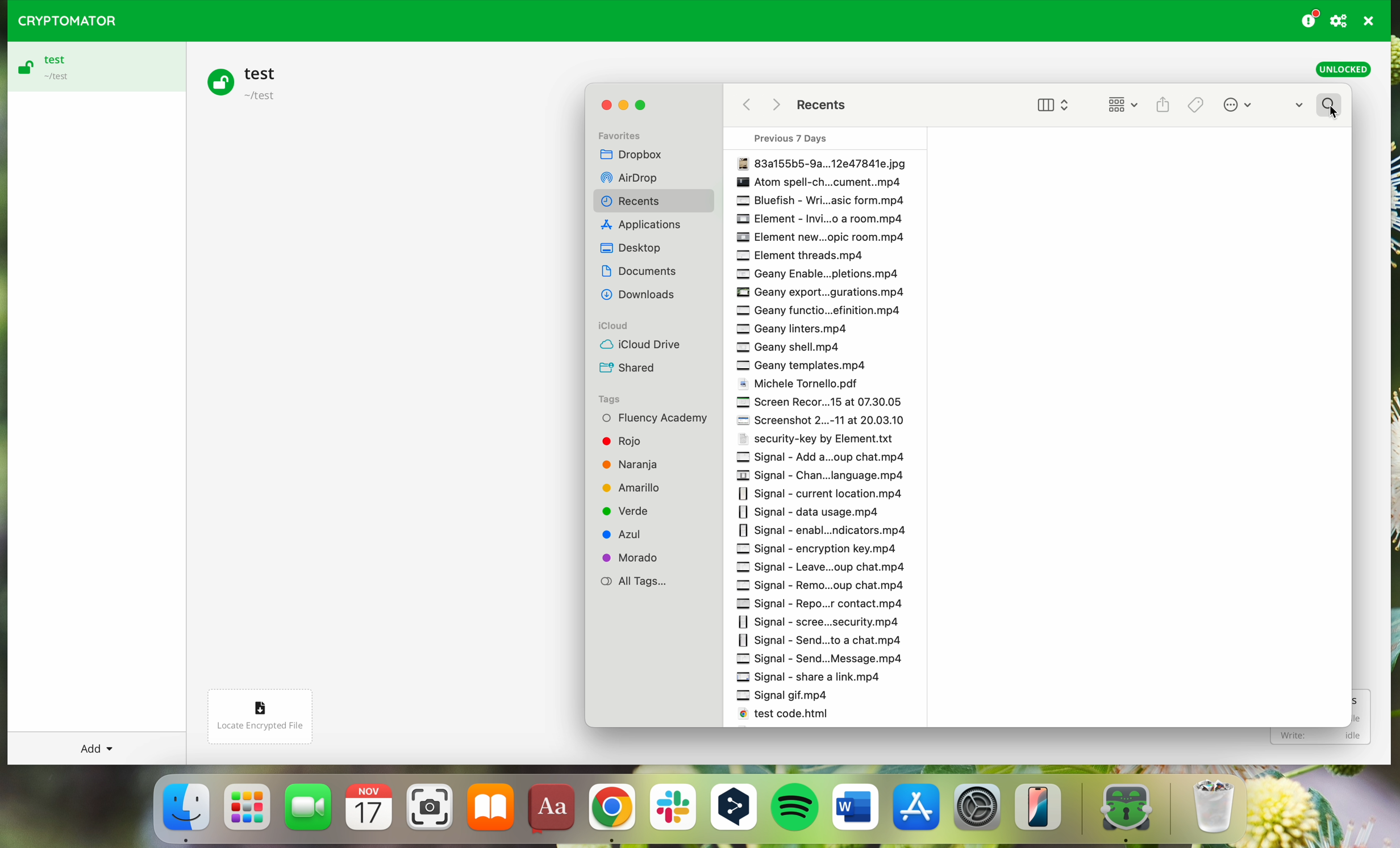 Image resolution: width=1400 pixels, height=848 pixels. What do you see at coordinates (821, 162) in the screenshot?
I see `File` at bounding box center [821, 162].